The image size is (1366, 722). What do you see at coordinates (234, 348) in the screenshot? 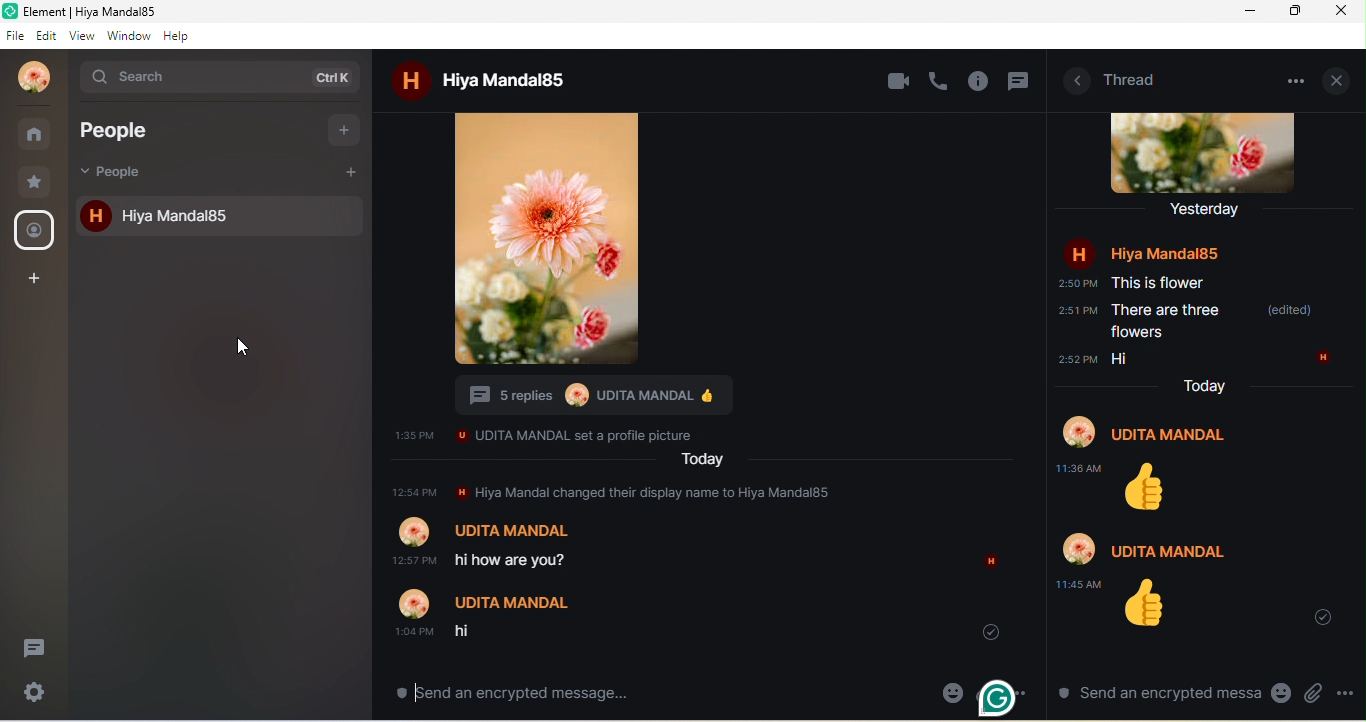
I see `cursor` at bounding box center [234, 348].